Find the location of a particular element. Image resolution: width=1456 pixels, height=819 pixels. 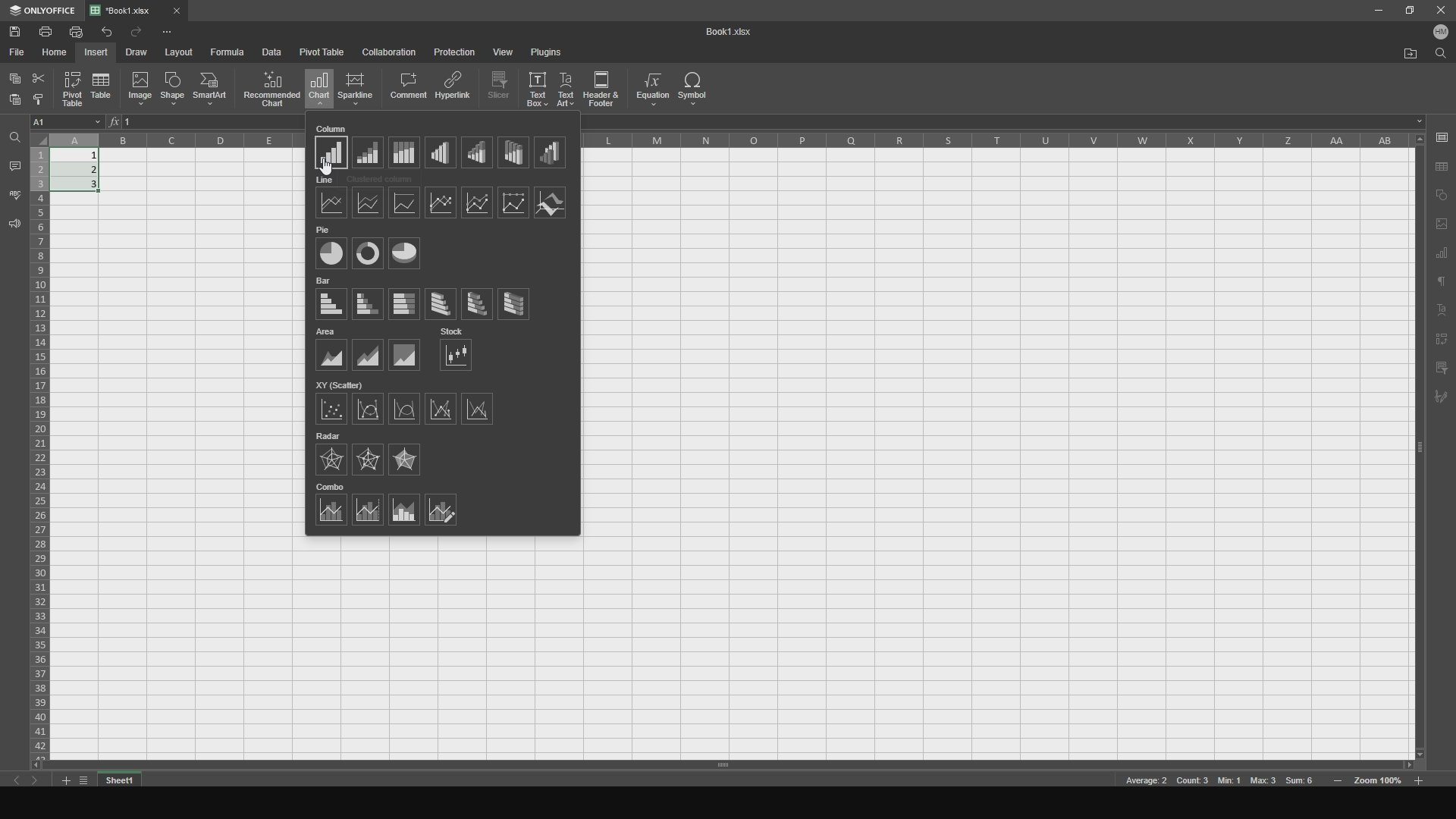

columns is located at coordinates (445, 145).